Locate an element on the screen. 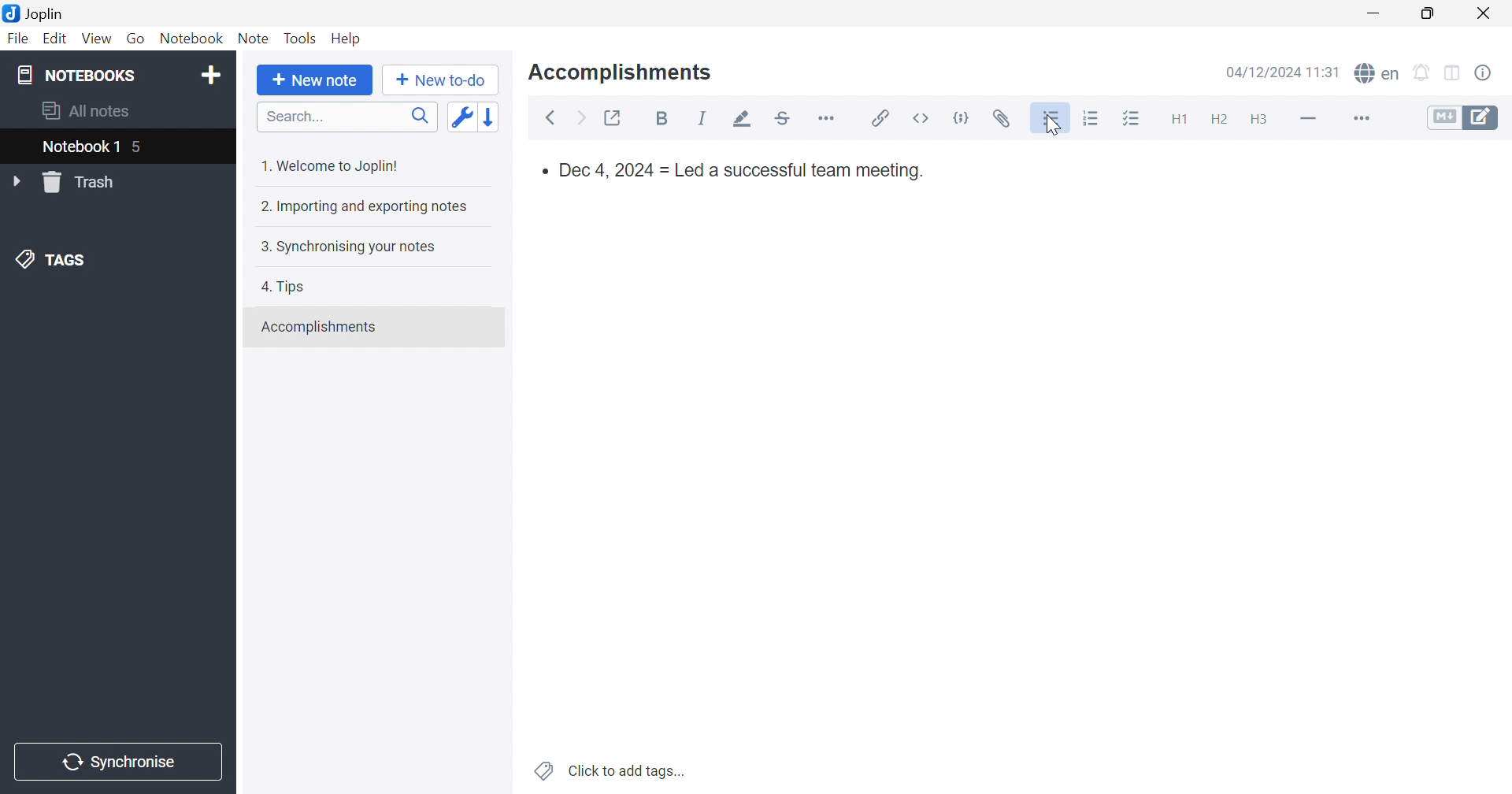 This screenshot has height=794, width=1512. 3. Synchronising your notes is located at coordinates (347, 245).